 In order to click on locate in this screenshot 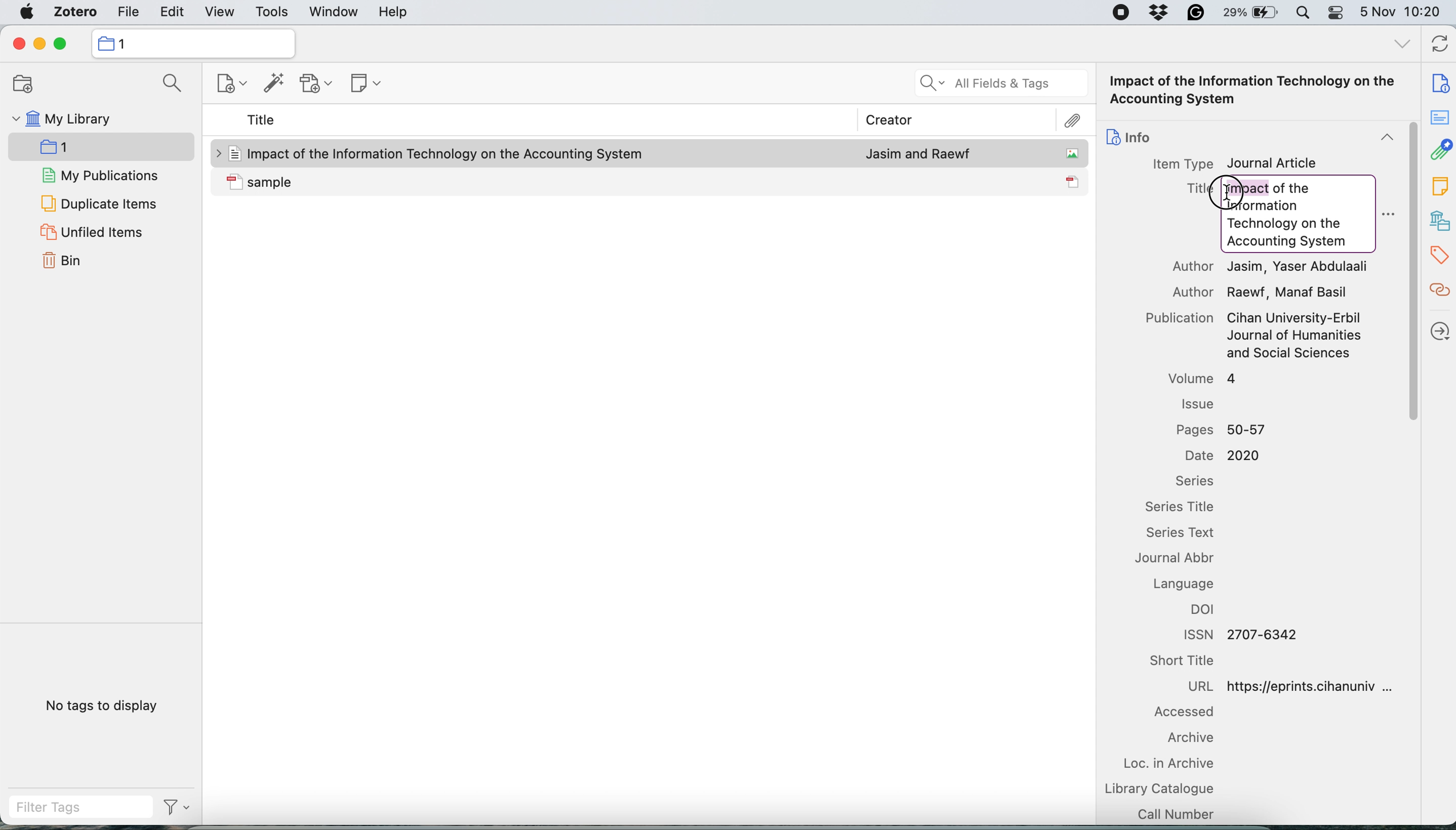, I will do `click(1438, 332)`.